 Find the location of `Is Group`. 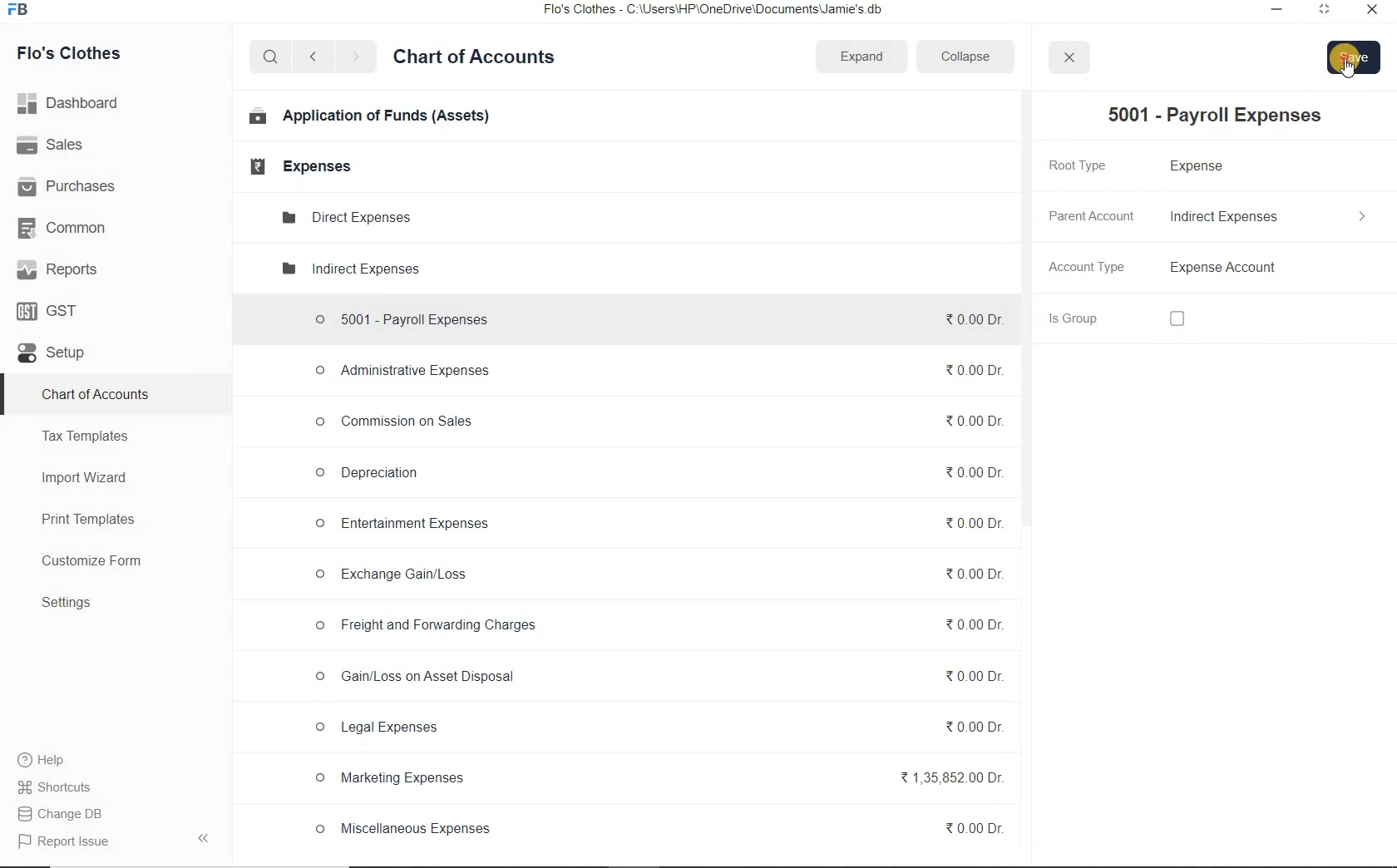

Is Group is located at coordinates (1091, 318).